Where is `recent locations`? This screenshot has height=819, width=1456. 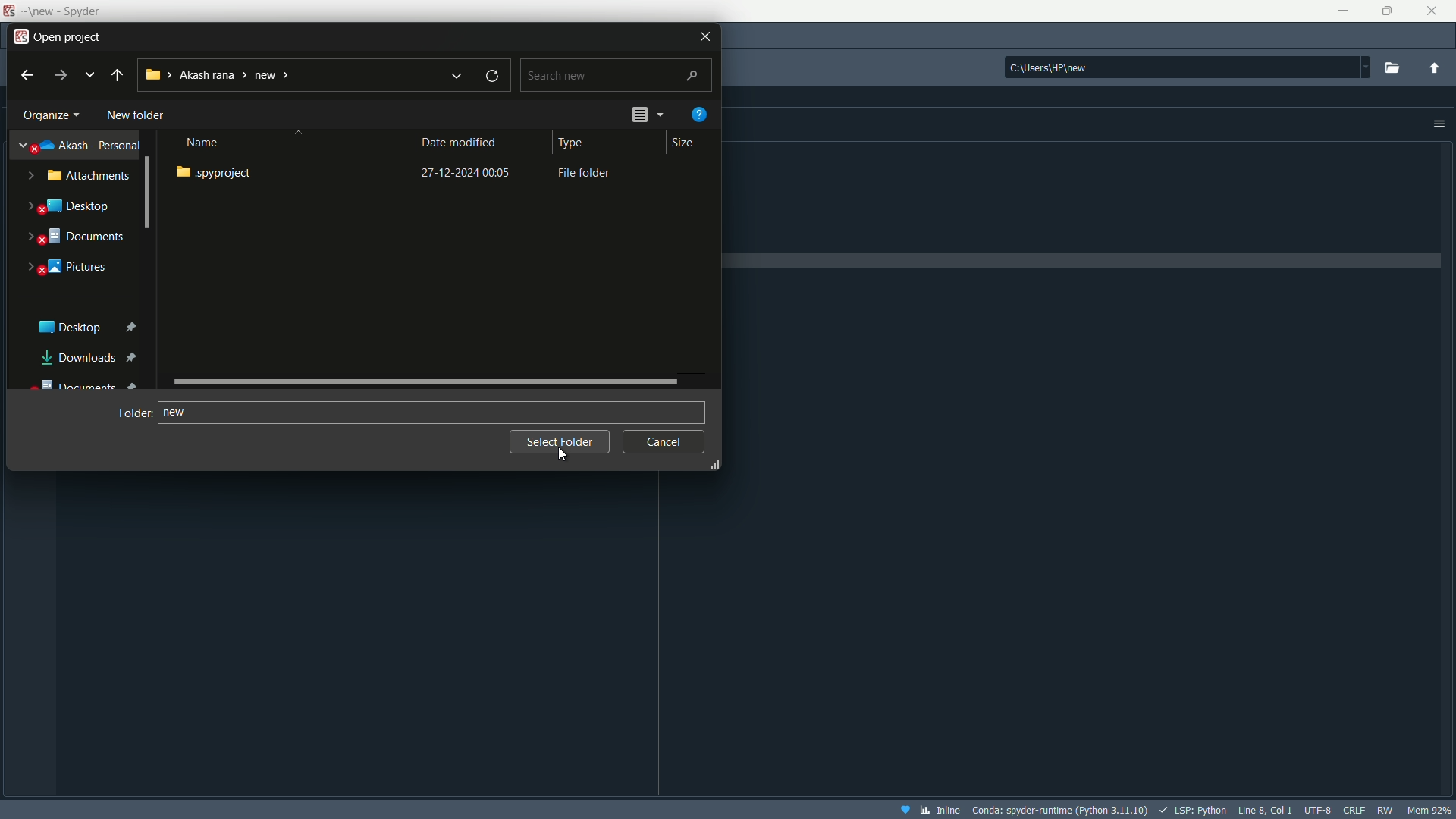
recent locations is located at coordinates (455, 76).